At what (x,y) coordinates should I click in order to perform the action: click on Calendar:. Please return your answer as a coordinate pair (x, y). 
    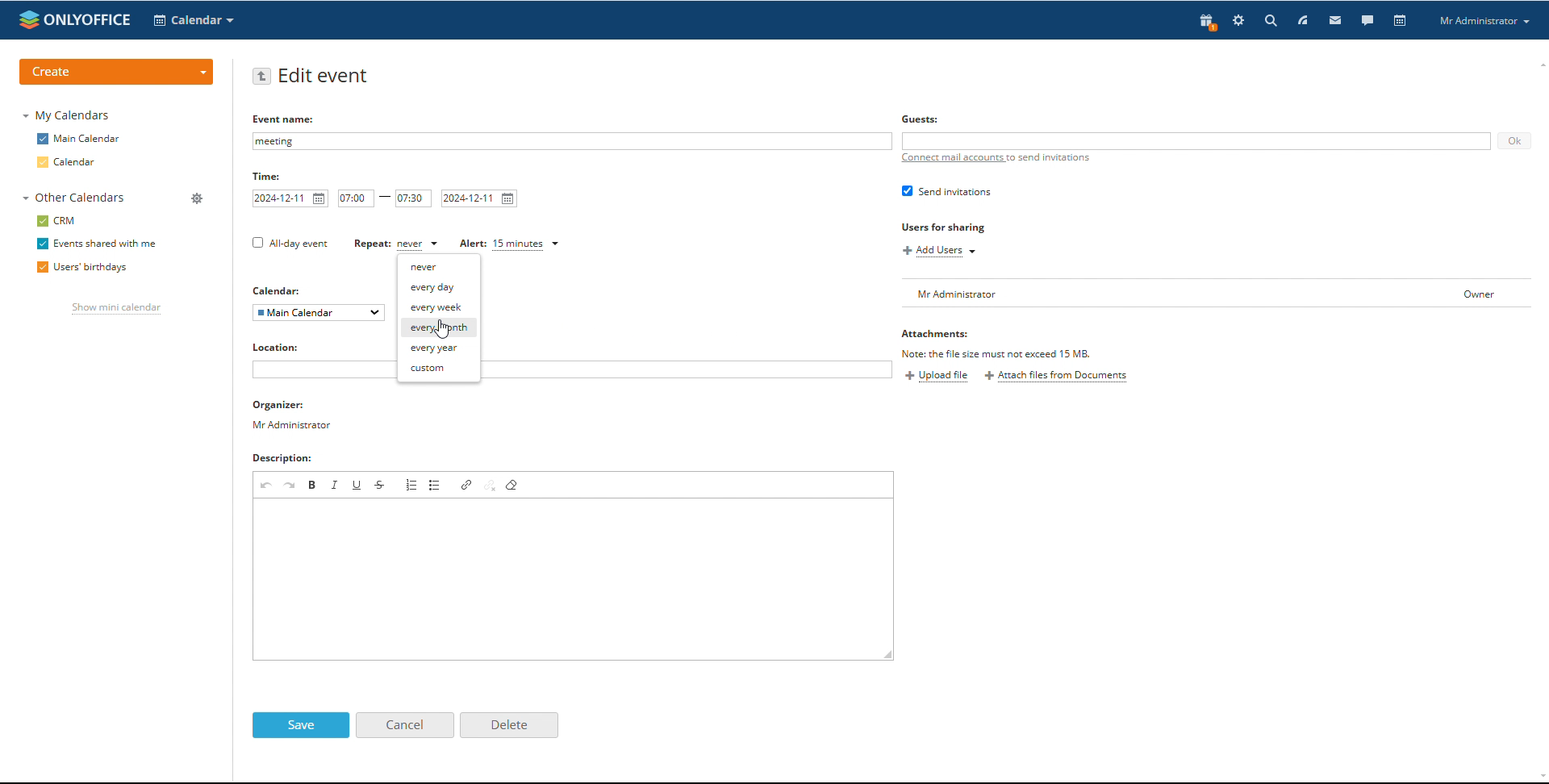
    Looking at the image, I should click on (280, 290).